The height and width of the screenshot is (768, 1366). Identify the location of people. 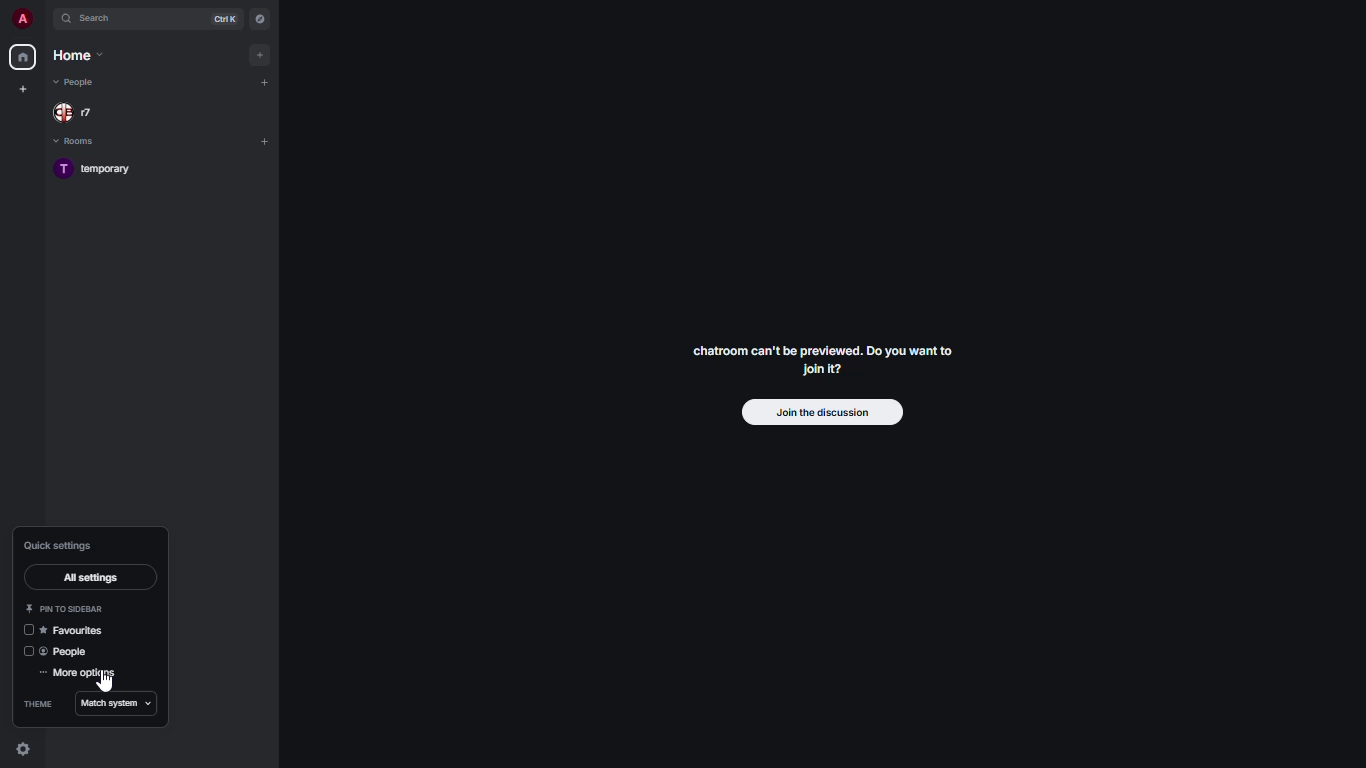
(81, 111).